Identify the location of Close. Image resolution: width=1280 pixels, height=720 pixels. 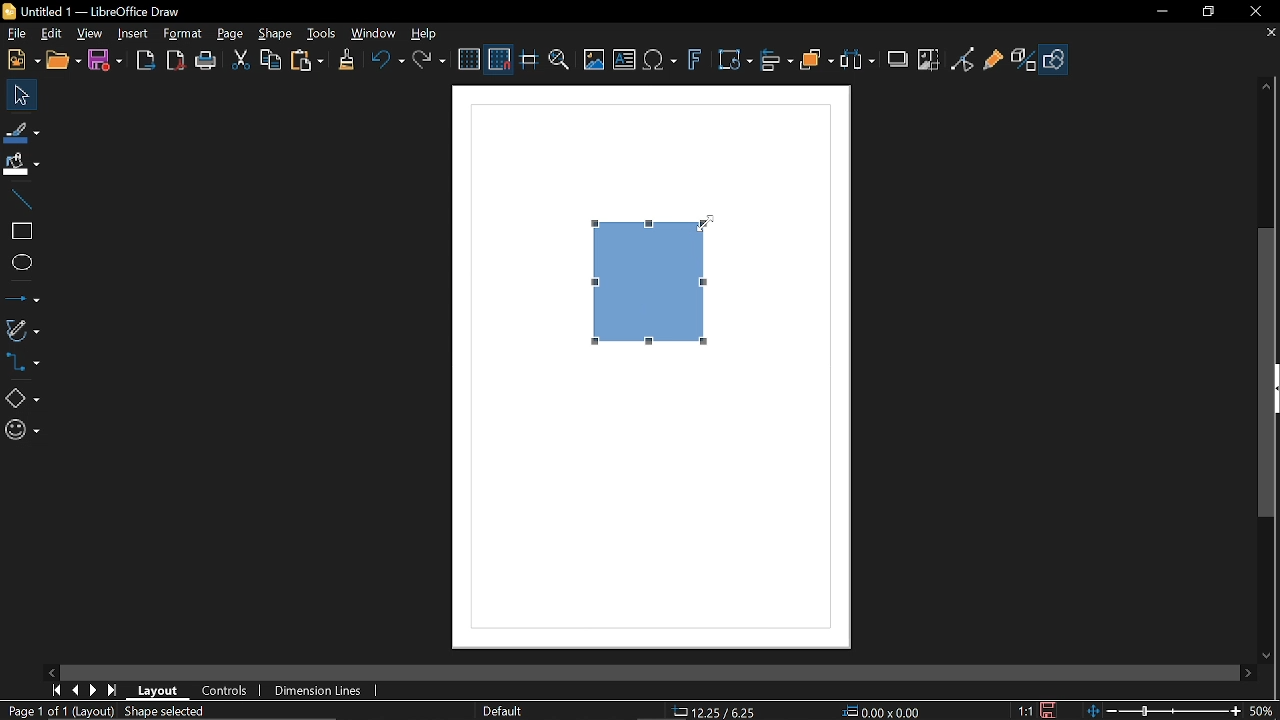
(1257, 11).